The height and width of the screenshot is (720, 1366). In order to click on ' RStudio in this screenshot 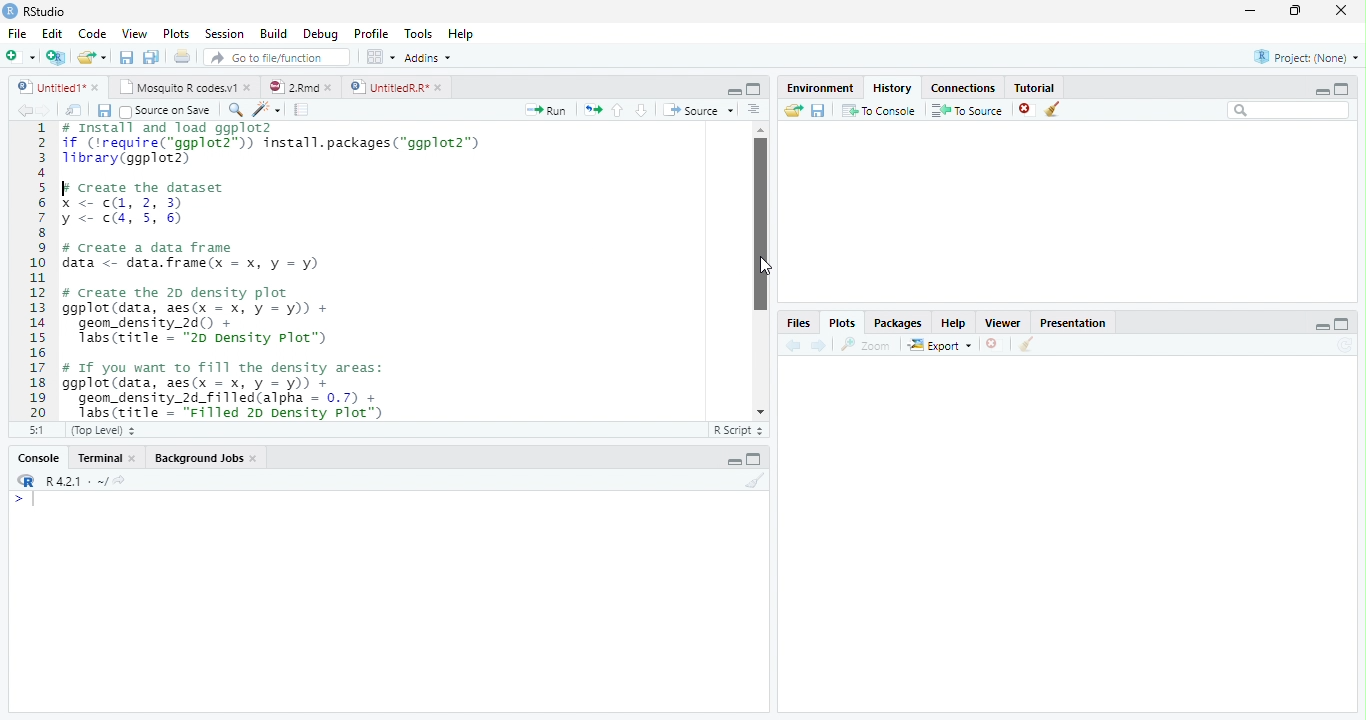, I will do `click(34, 12)`.